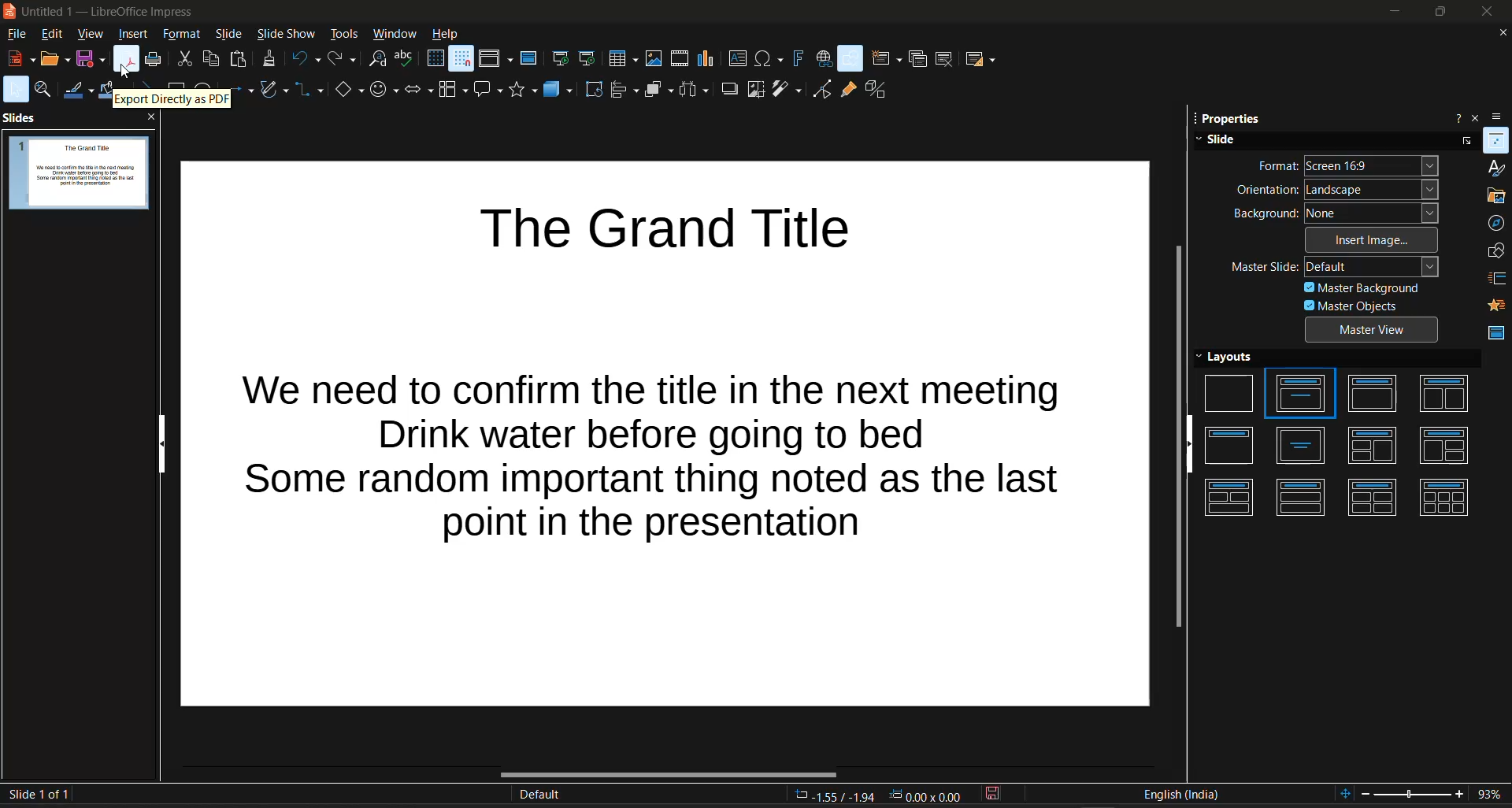 The height and width of the screenshot is (808, 1512). I want to click on close pane, so click(150, 119).